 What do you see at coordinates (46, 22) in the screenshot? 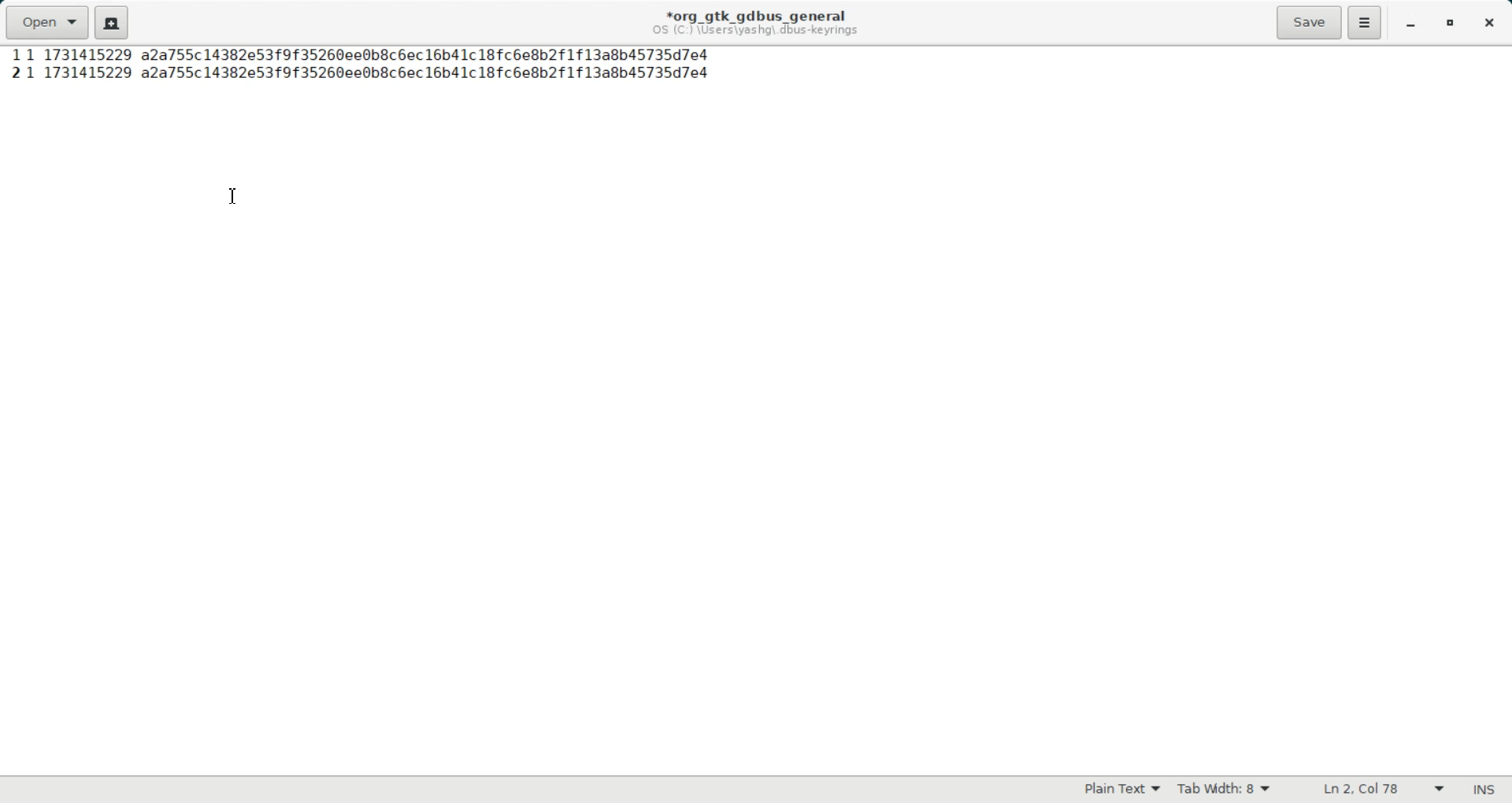
I see `Open a file` at bounding box center [46, 22].